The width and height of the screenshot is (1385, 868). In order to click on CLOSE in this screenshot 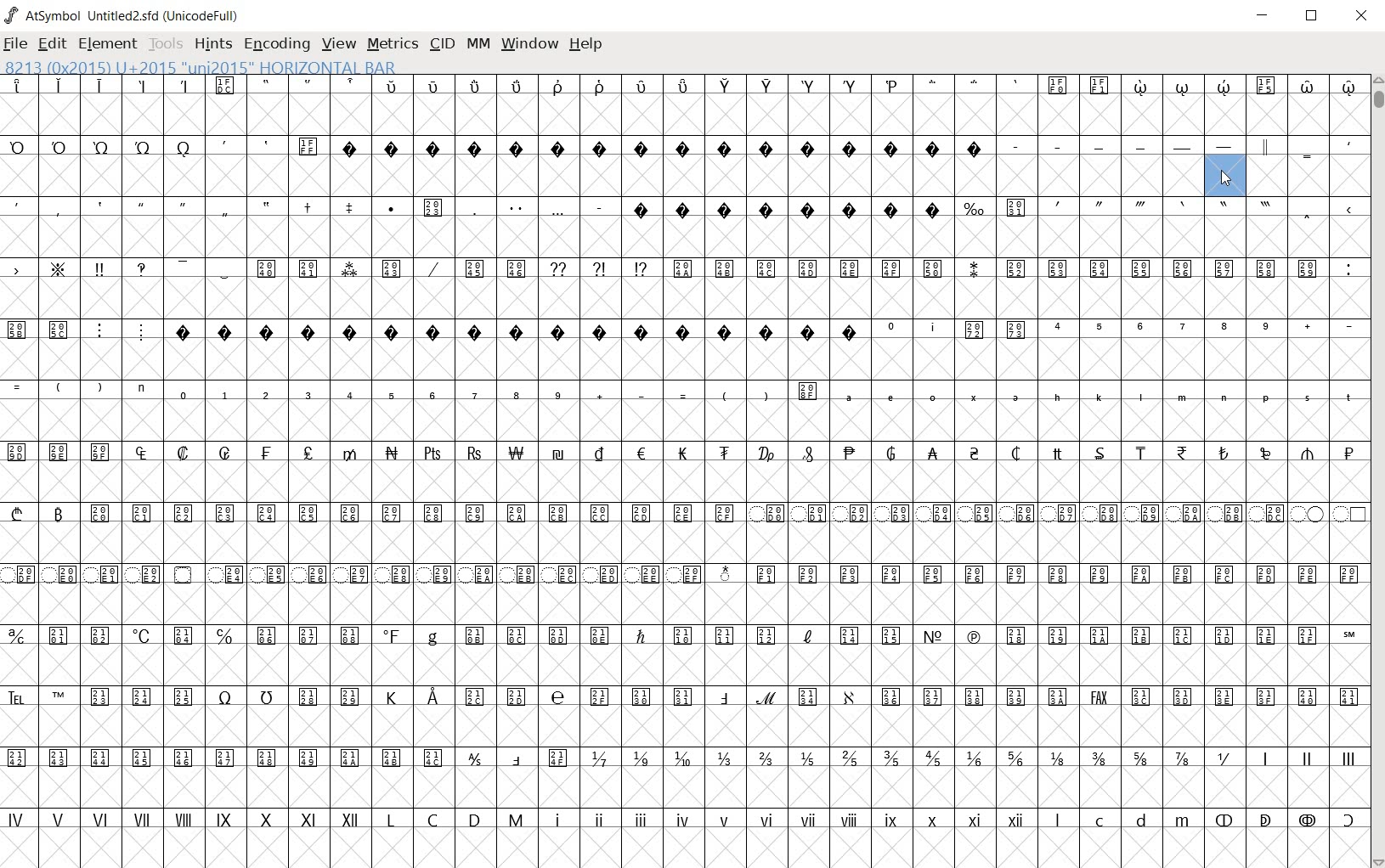, I will do `click(1363, 19)`.